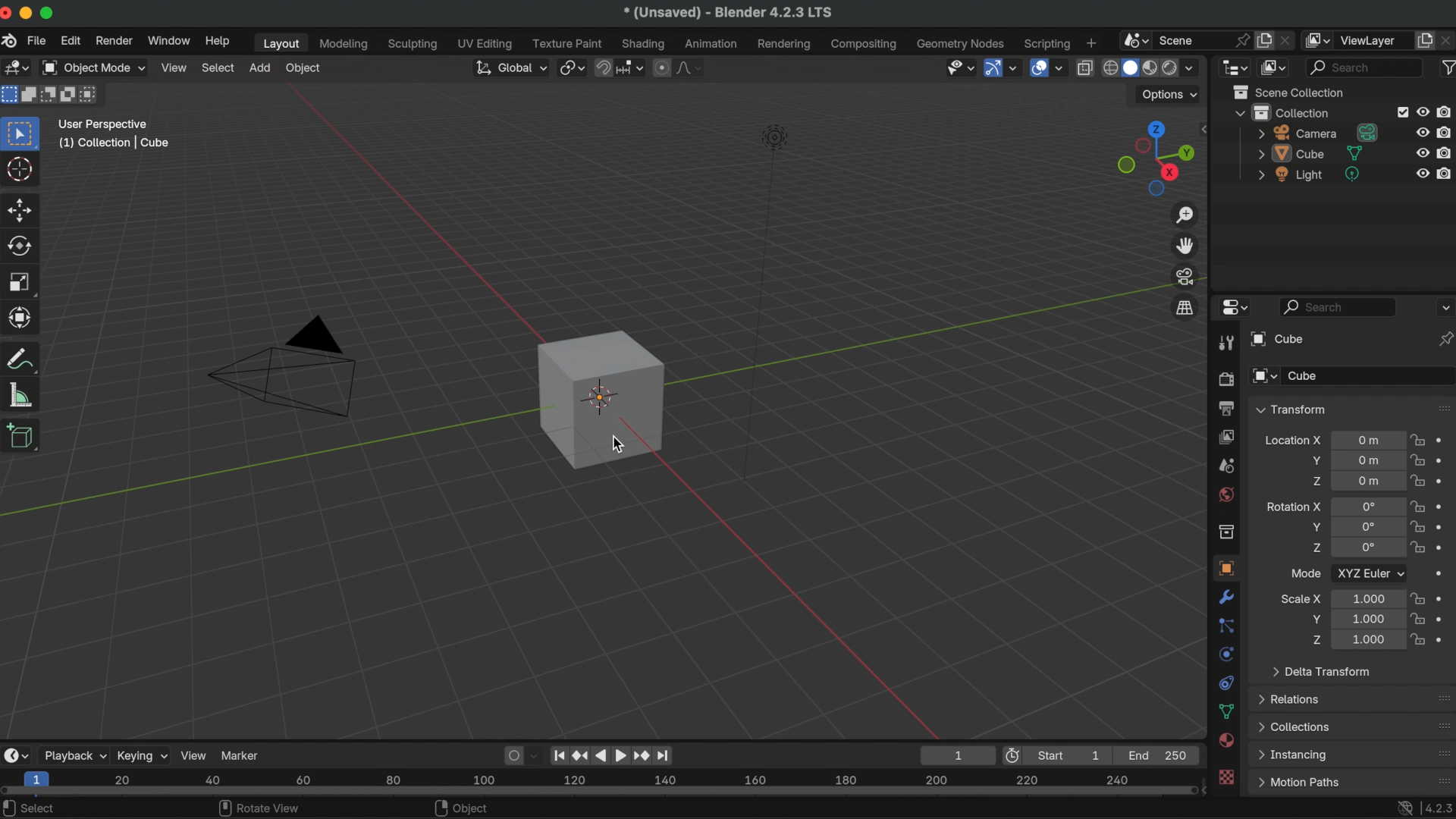  Describe the element at coordinates (49, 95) in the screenshot. I see `mode subtract existing condition` at that location.